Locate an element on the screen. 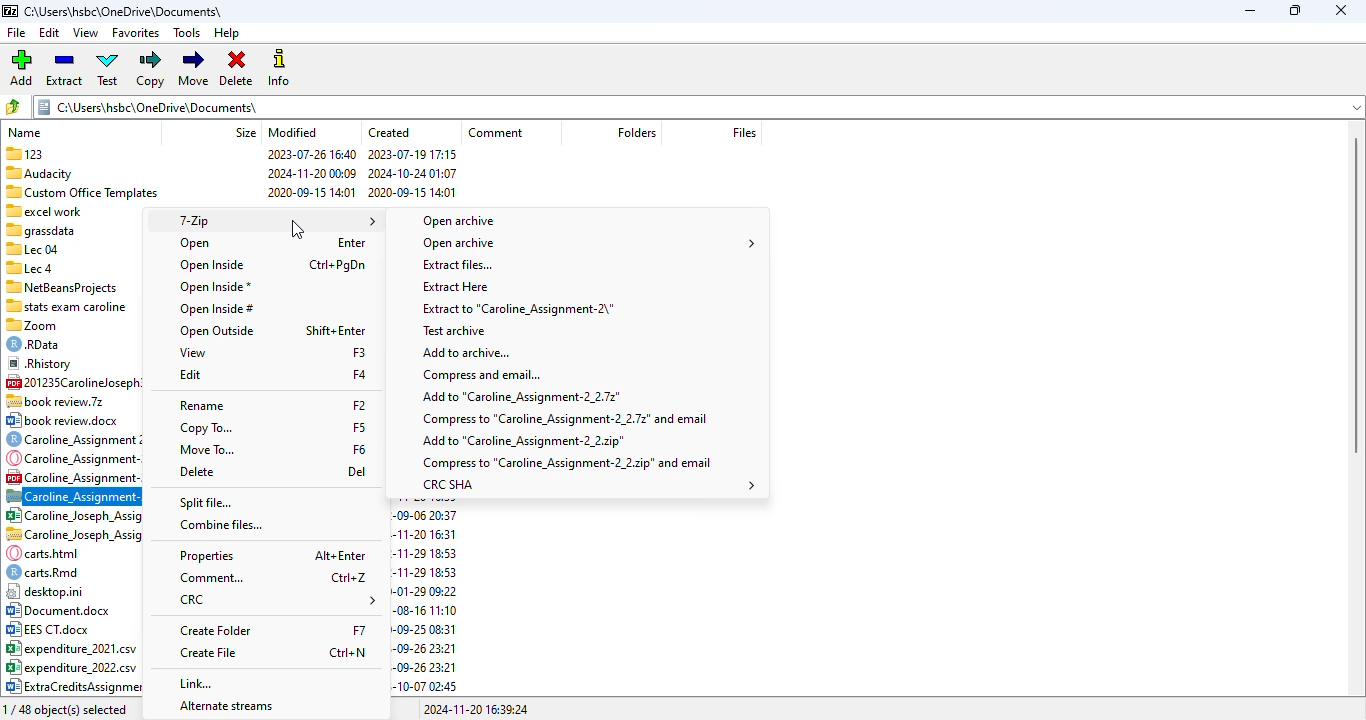  shortcut for copy to is located at coordinates (359, 427).